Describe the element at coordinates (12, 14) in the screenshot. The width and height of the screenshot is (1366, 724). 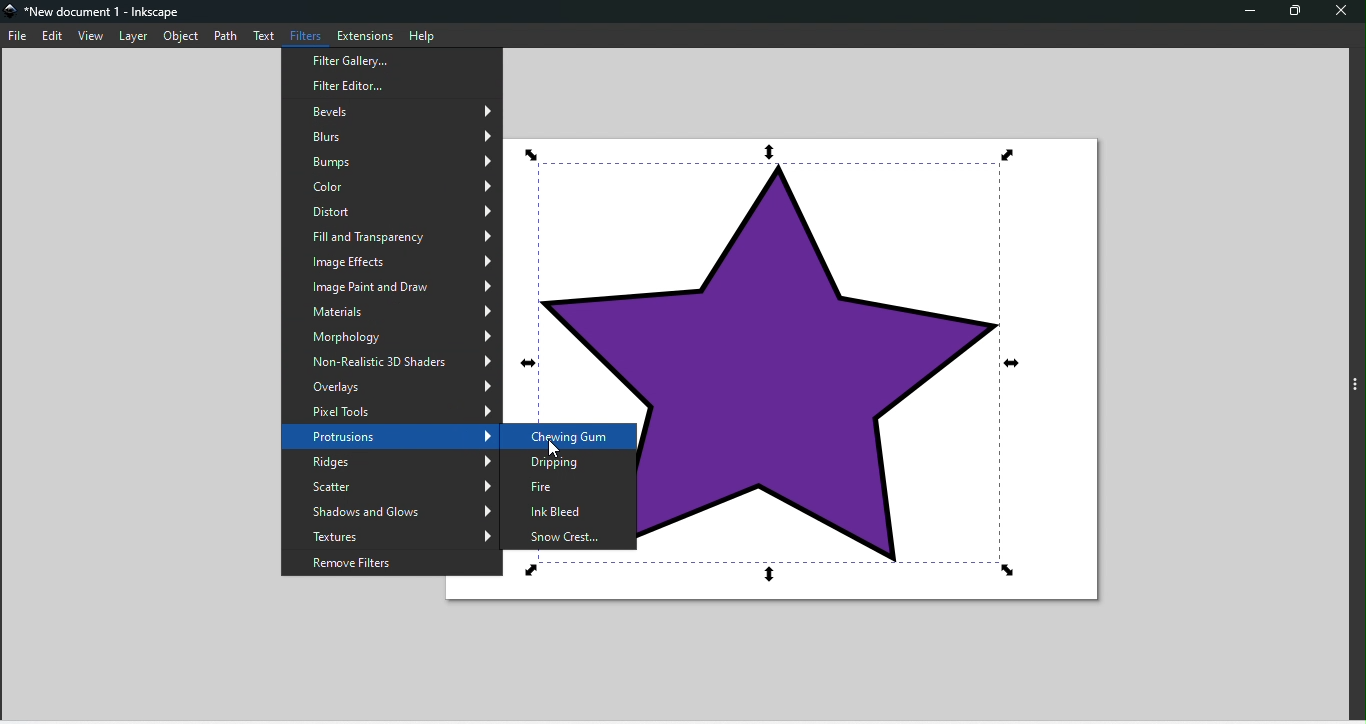
I see `logo` at that location.